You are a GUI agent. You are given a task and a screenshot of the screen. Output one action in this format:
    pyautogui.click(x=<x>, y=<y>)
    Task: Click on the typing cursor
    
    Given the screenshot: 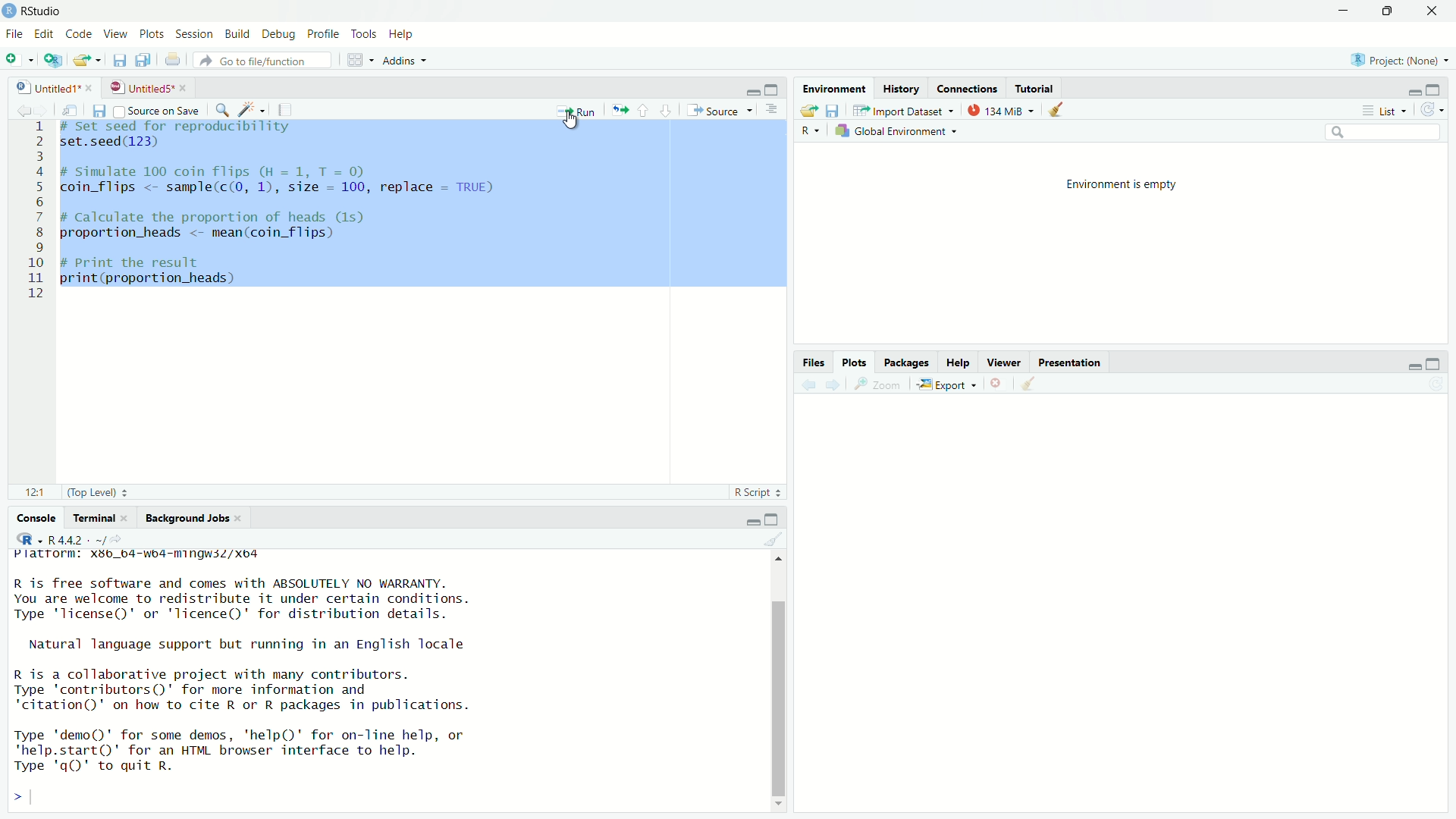 What is the action you would take?
    pyautogui.click(x=64, y=296)
    